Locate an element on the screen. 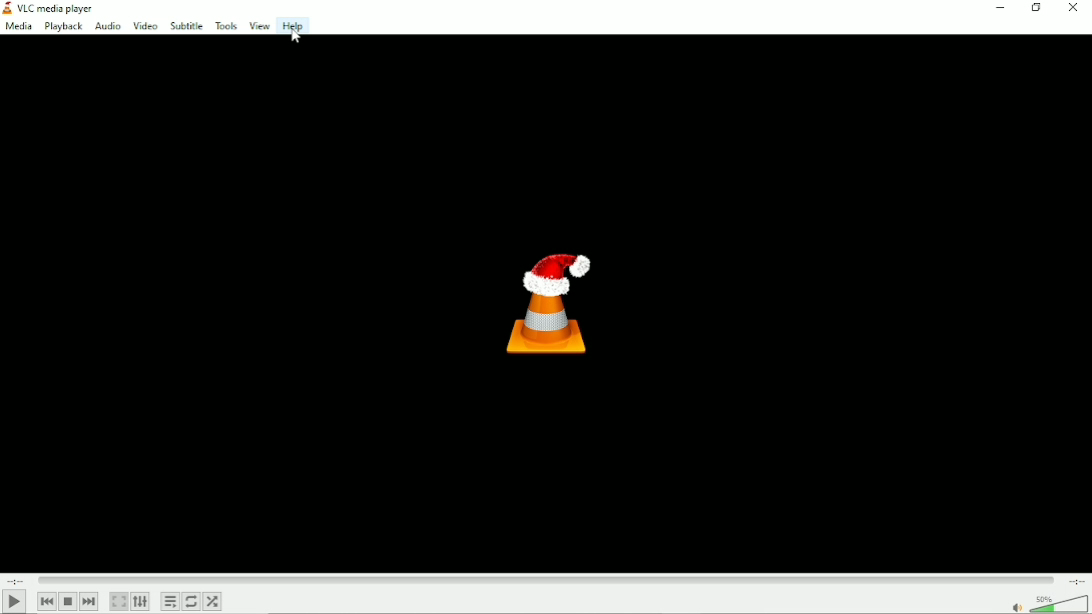 This screenshot has width=1092, height=614. Cursor is located at coordinates (296, 36).